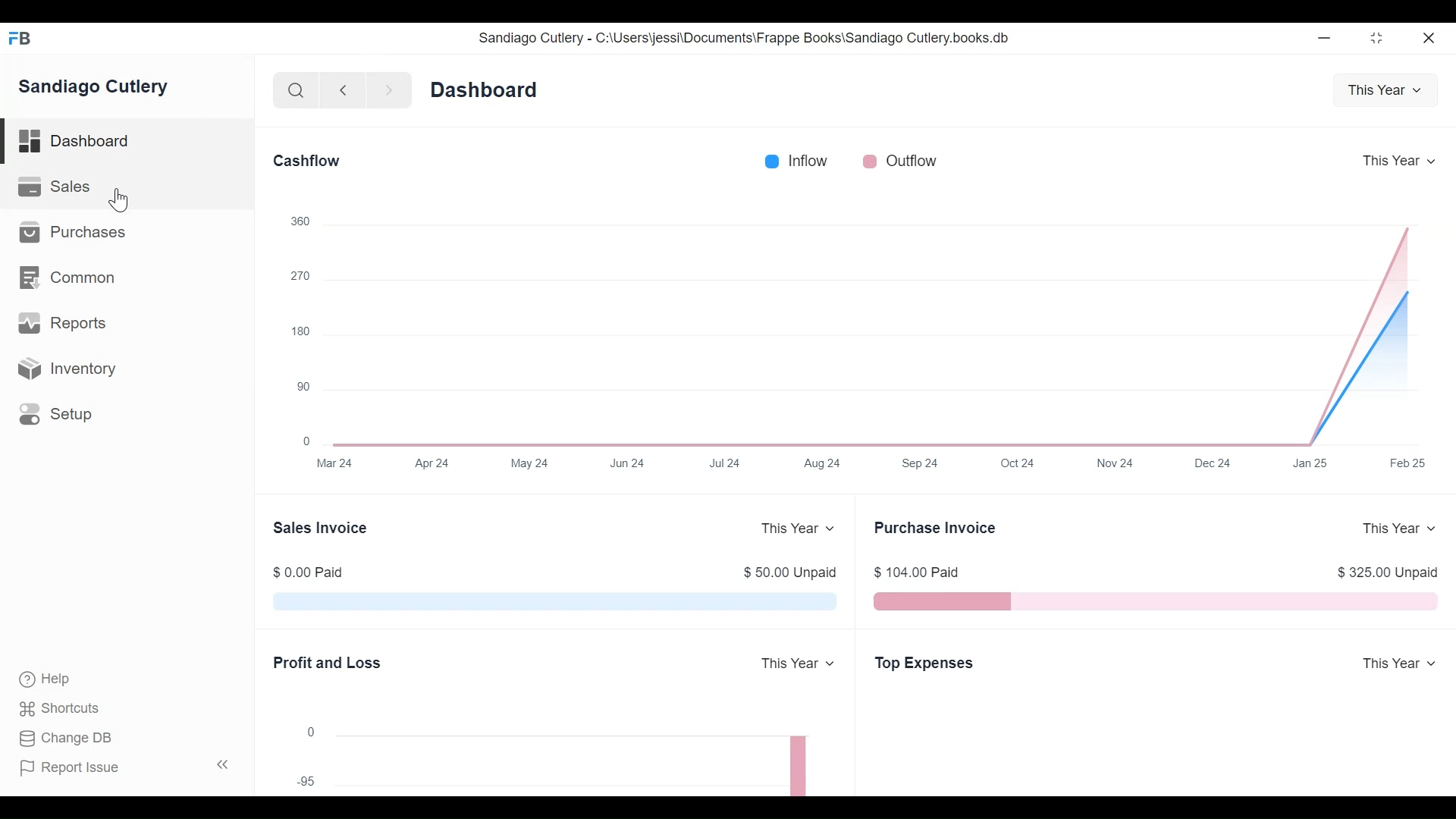  I want to click on Dec 24, so click(1212, 464).